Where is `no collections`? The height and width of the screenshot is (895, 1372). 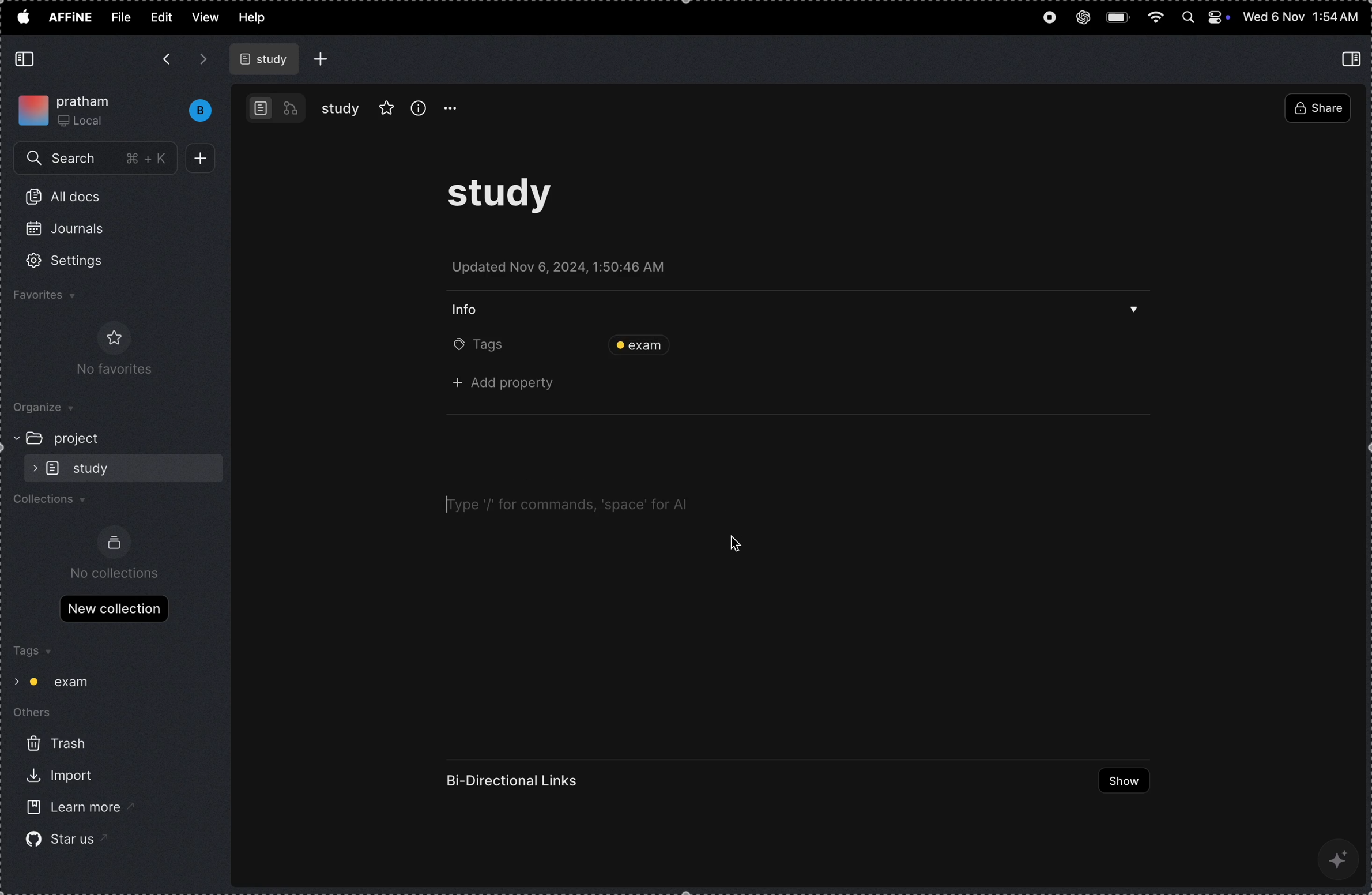
no collections is located at coordinates (116, 573).